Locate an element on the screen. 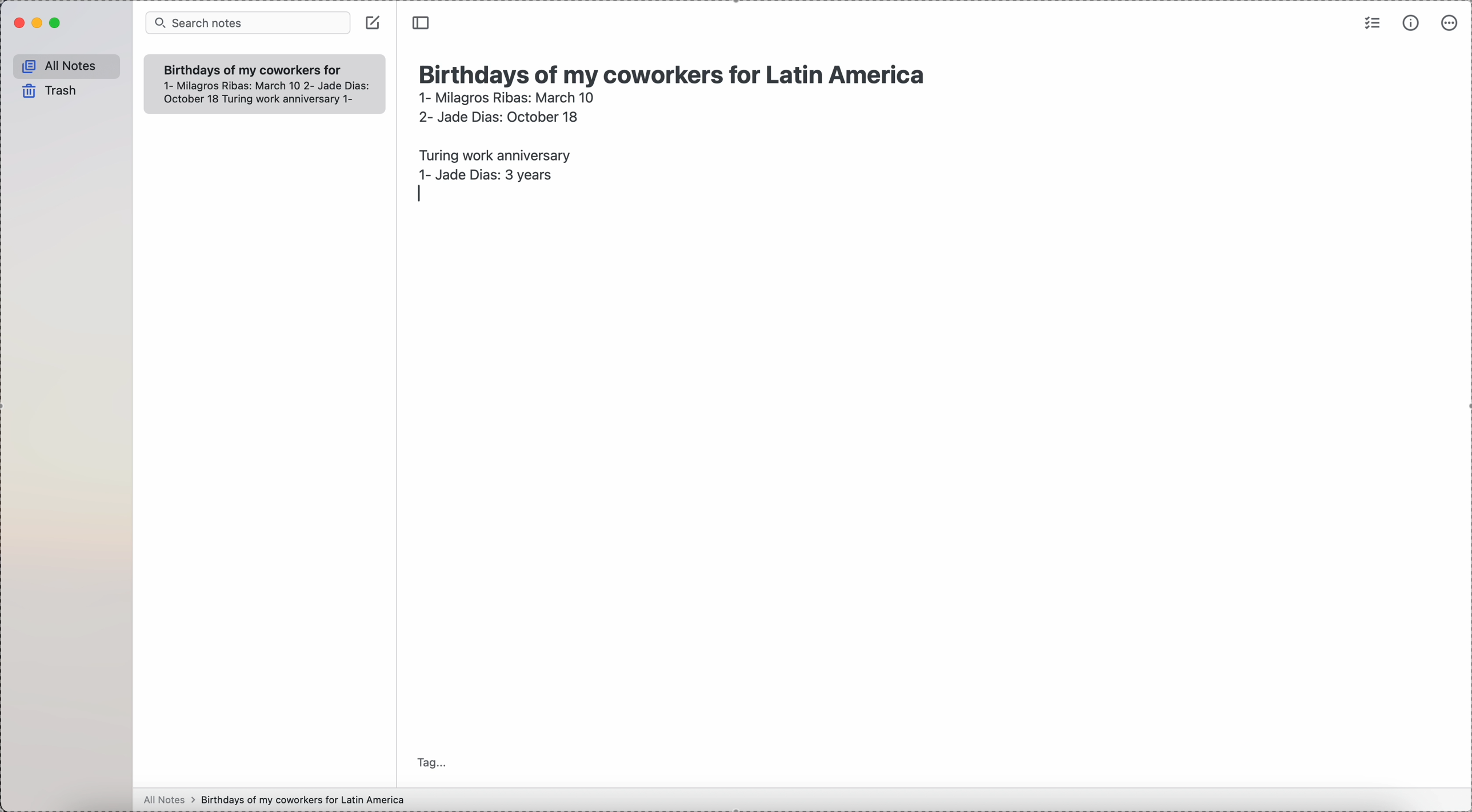 The image size is (1472, 812). more options is located at coordinates (1451, 22).